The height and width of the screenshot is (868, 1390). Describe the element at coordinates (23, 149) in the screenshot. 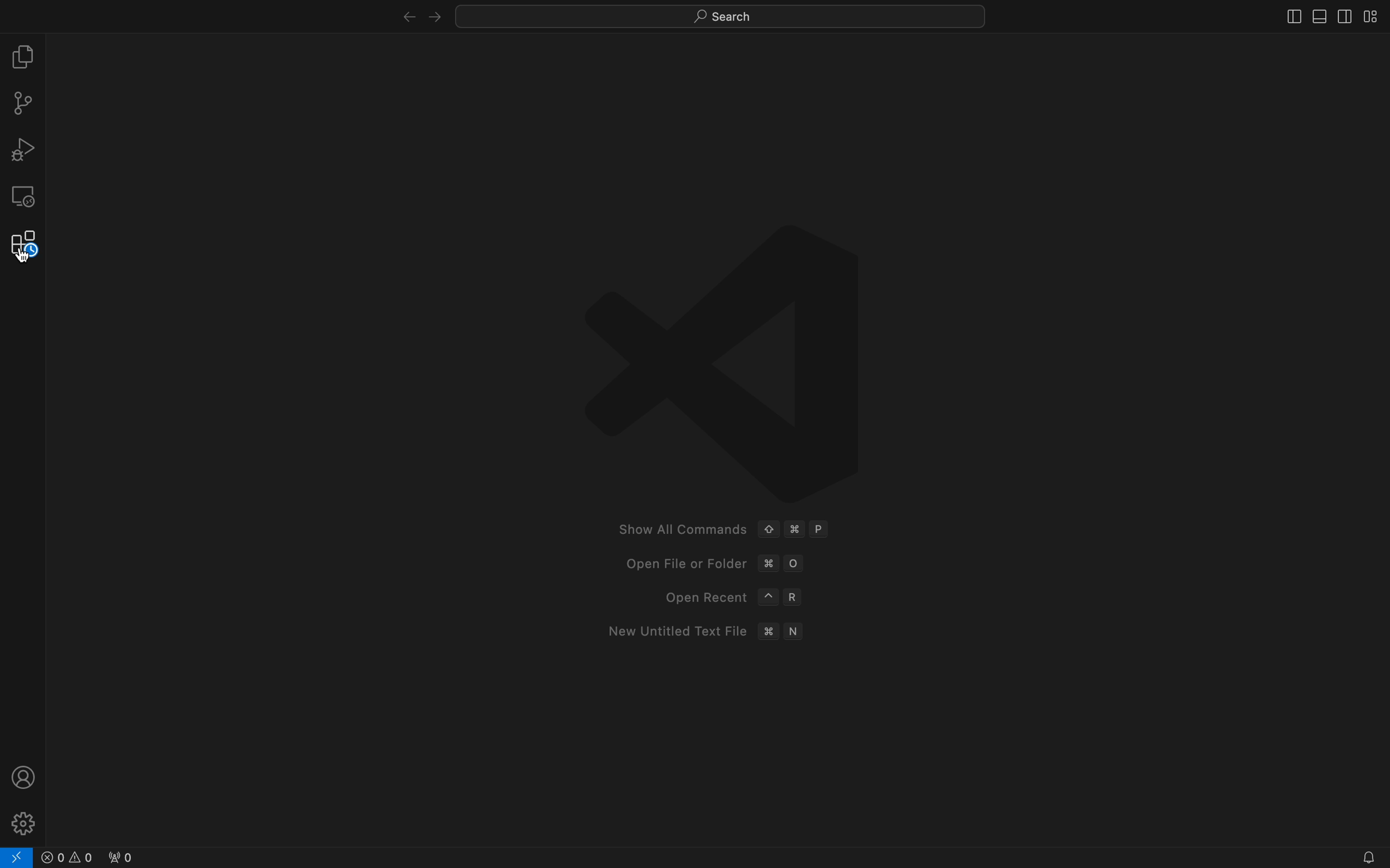

I see `debugger` at that location.